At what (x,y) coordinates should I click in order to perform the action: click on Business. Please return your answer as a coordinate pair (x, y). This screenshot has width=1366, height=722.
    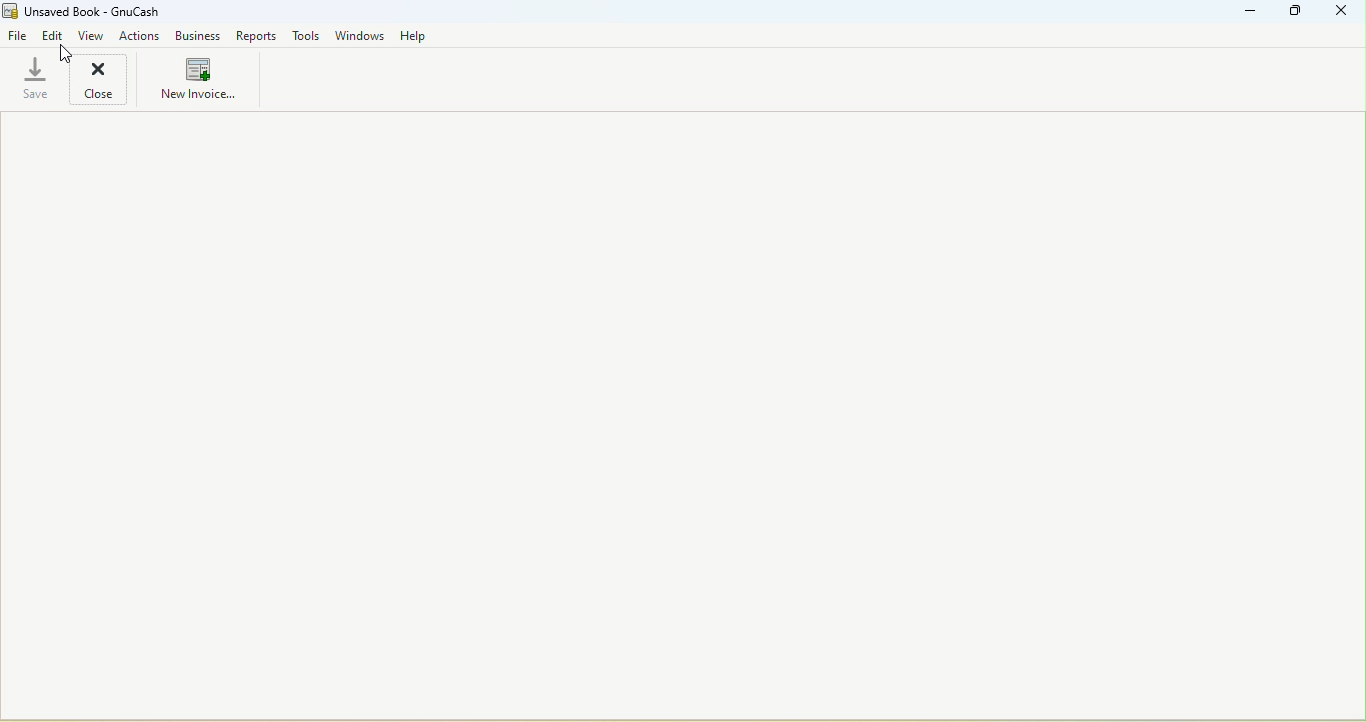
    Looking at the image, I should click on (196, 37).